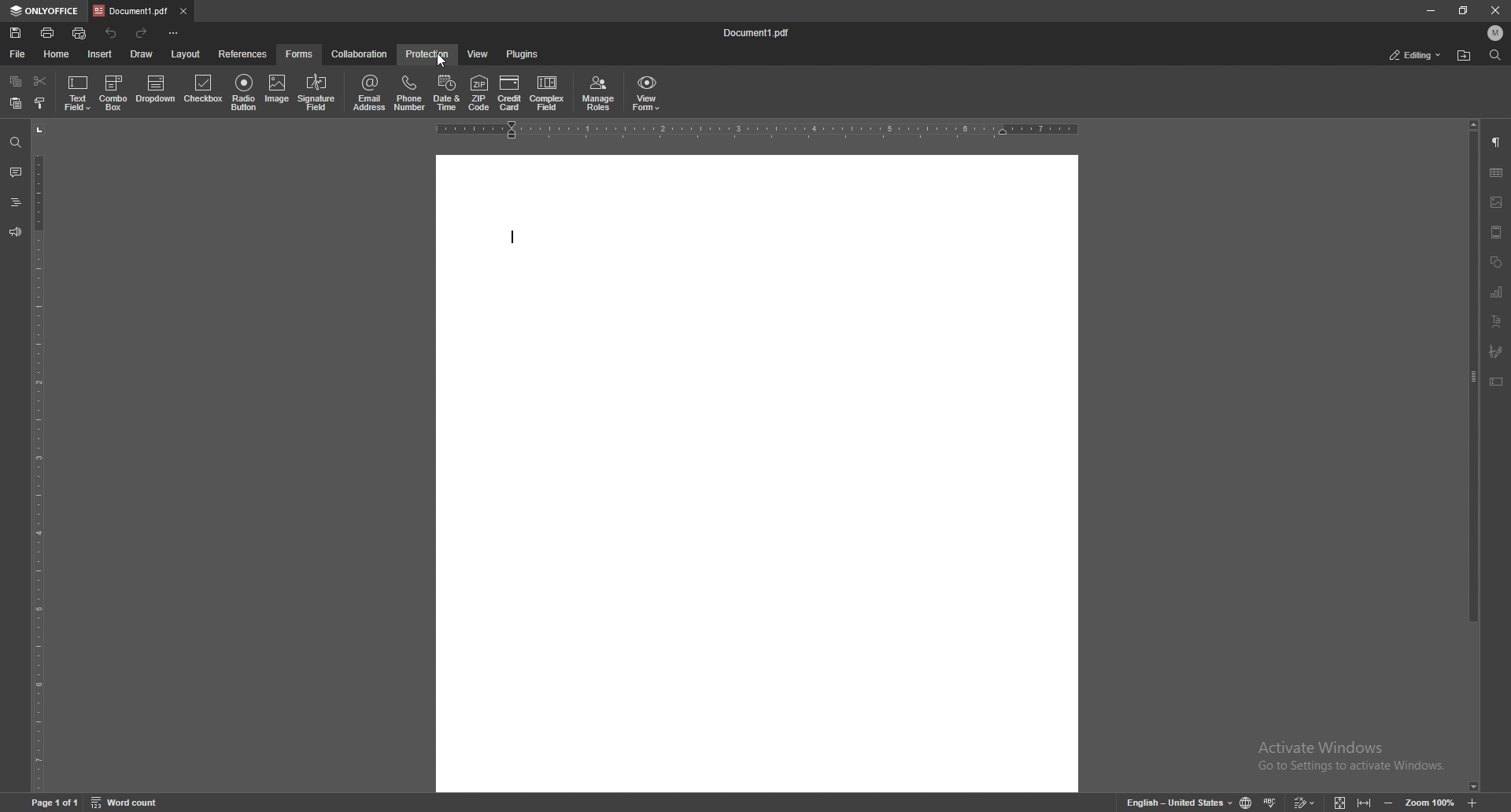 This screenshot has height=812, width=1511. What do you see at coordinates (15, 142) in the screenshot?
I see `find` at bounding box center [15, 142].